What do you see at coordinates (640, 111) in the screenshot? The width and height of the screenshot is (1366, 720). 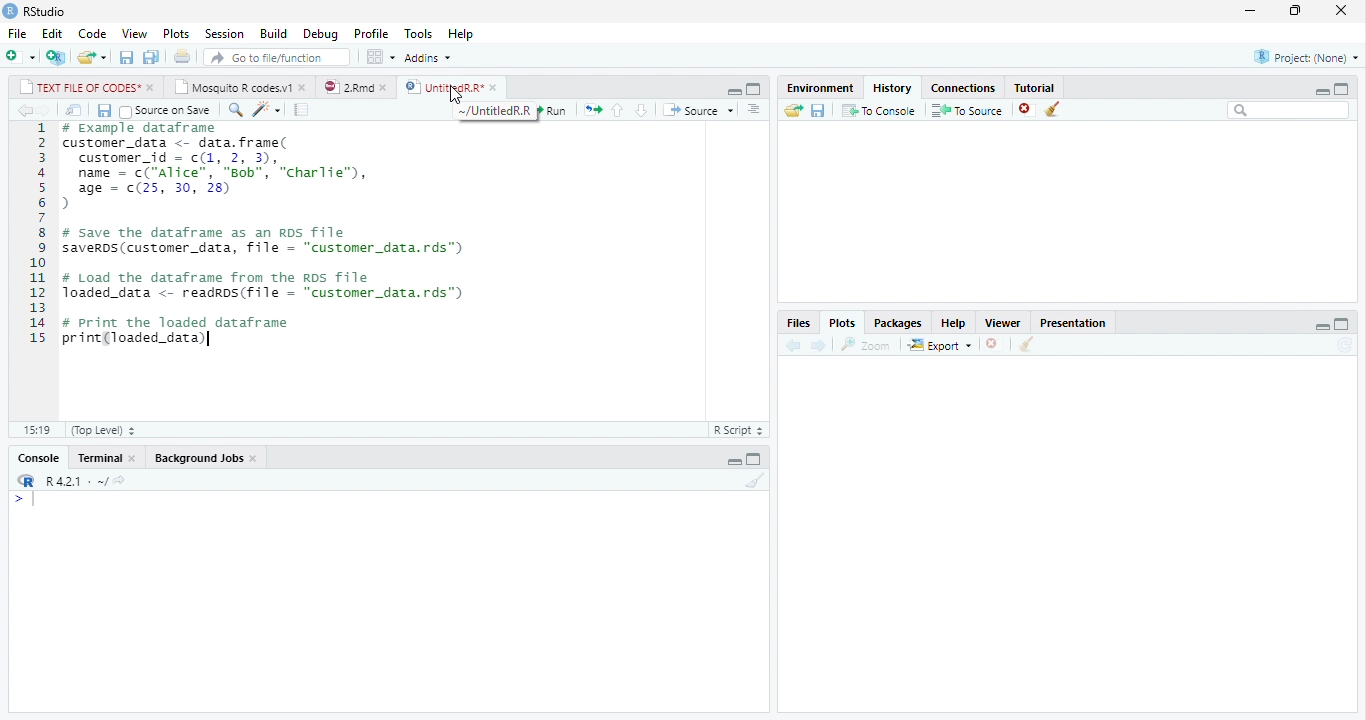 I see `down` at bounding box center [640, 111].